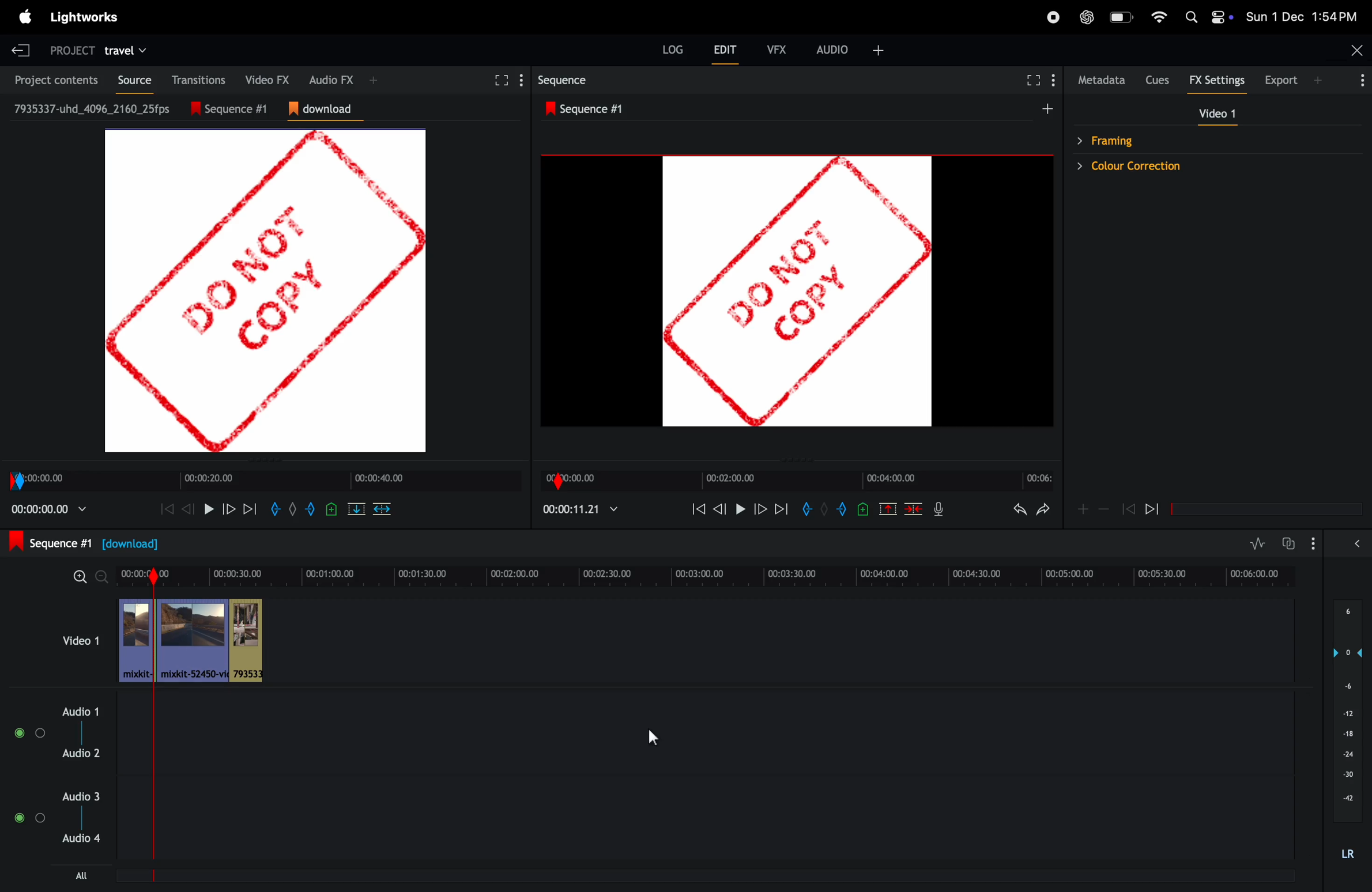  I want to click on pause play, so click(740, 508).